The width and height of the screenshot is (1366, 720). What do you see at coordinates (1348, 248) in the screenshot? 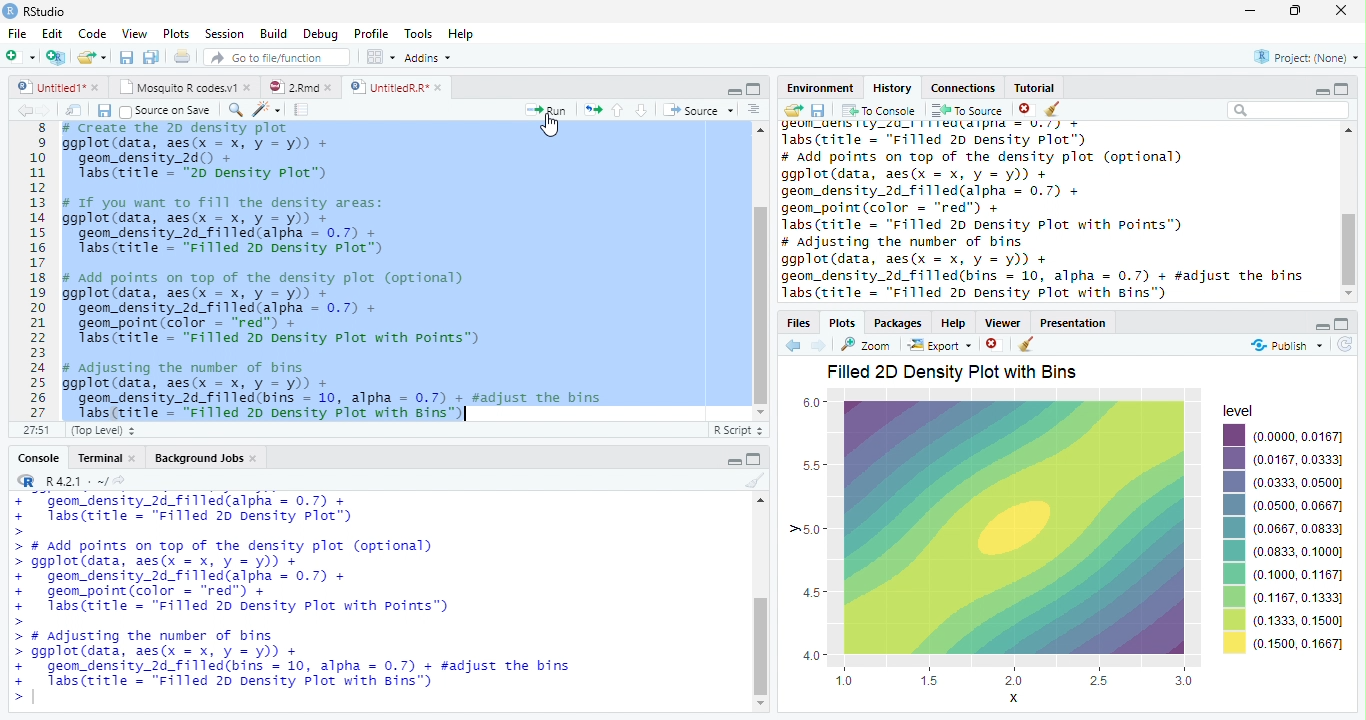
I see `vertical Scrollbar` at bounding box center [1348, 248].